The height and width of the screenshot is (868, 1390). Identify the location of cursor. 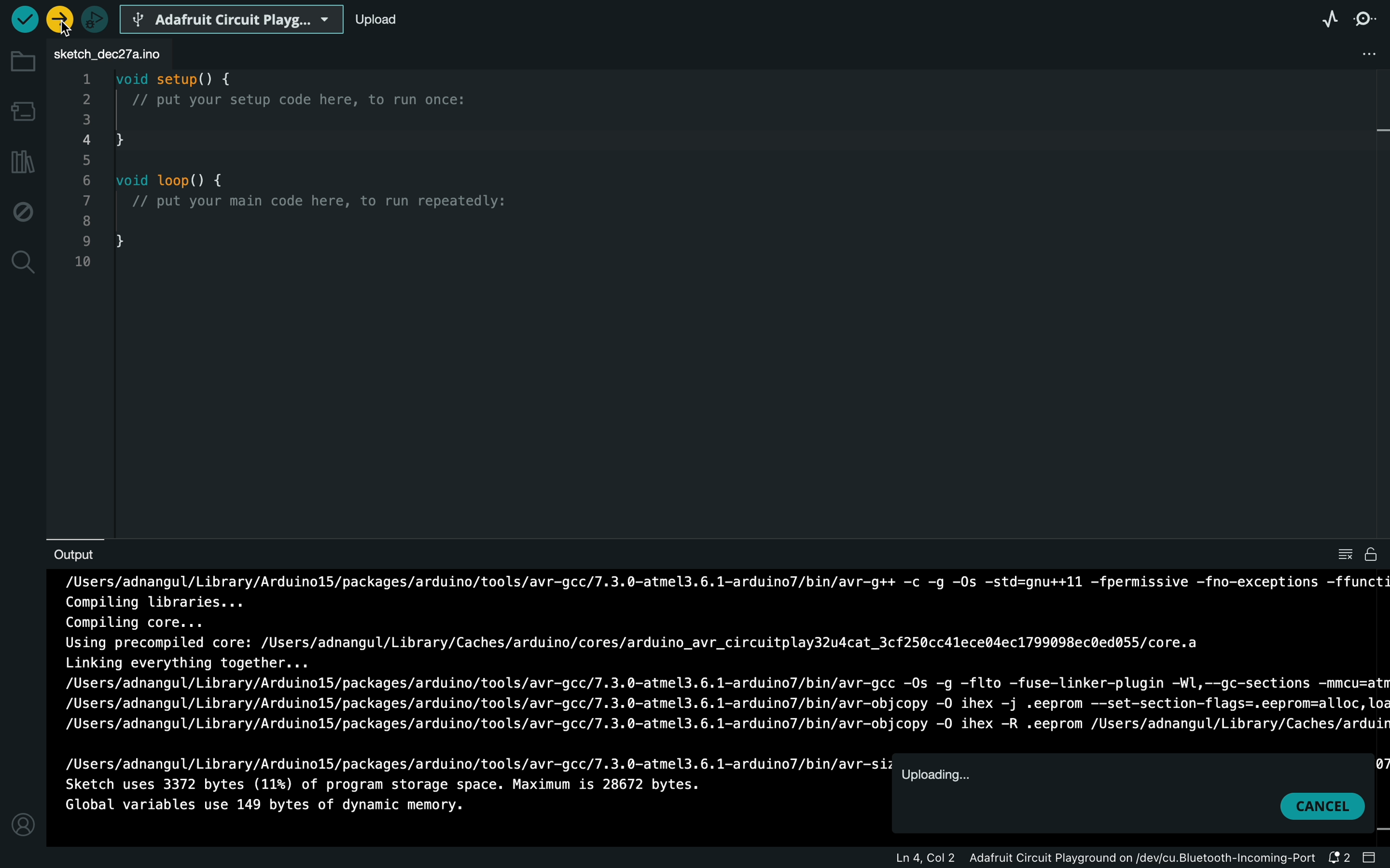
(59, 24).